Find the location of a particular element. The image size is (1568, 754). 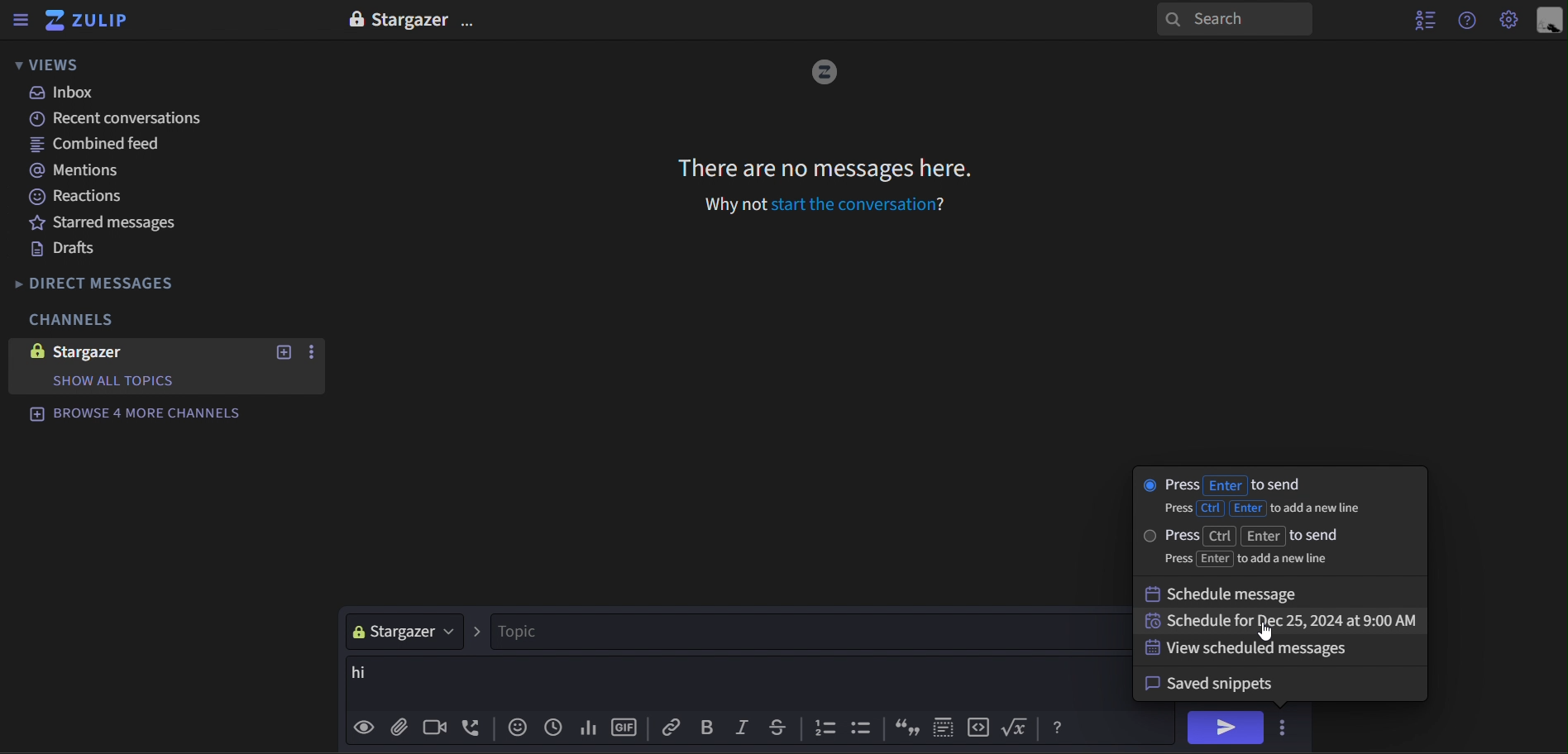

add video call is located at coordinates (433, 728).